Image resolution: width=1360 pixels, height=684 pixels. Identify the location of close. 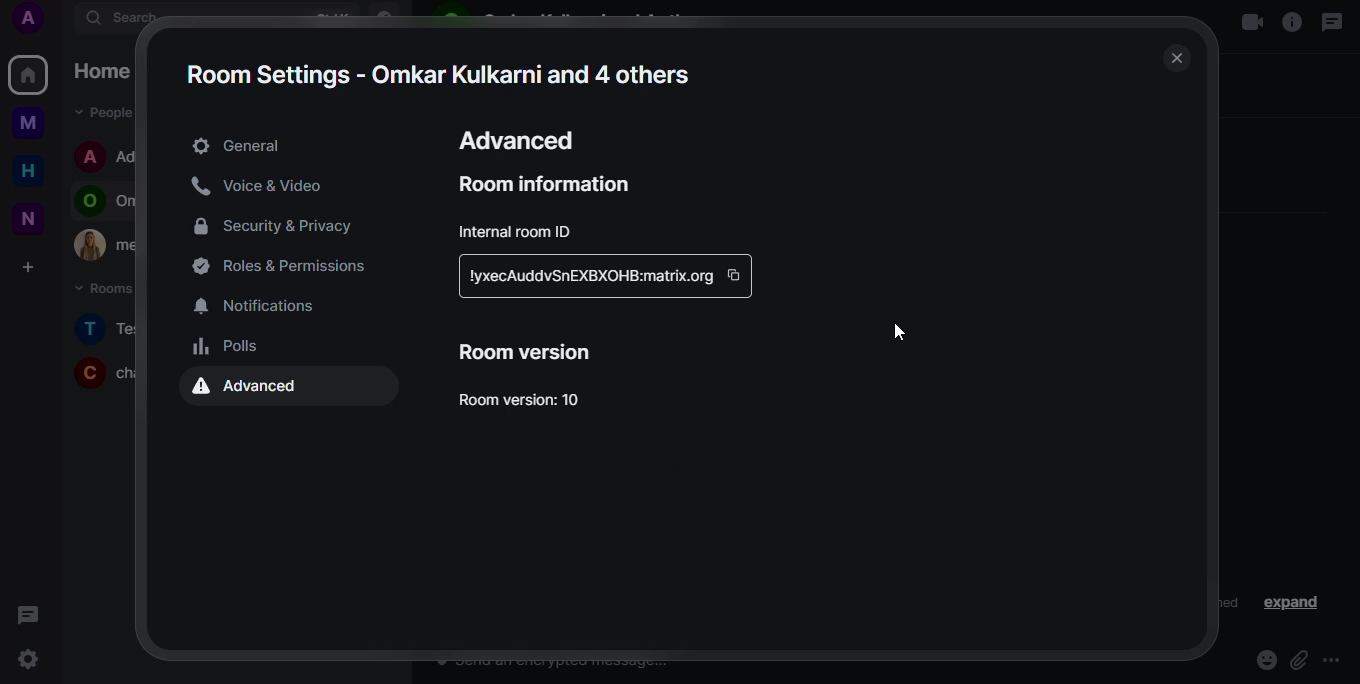
(1177, 58).